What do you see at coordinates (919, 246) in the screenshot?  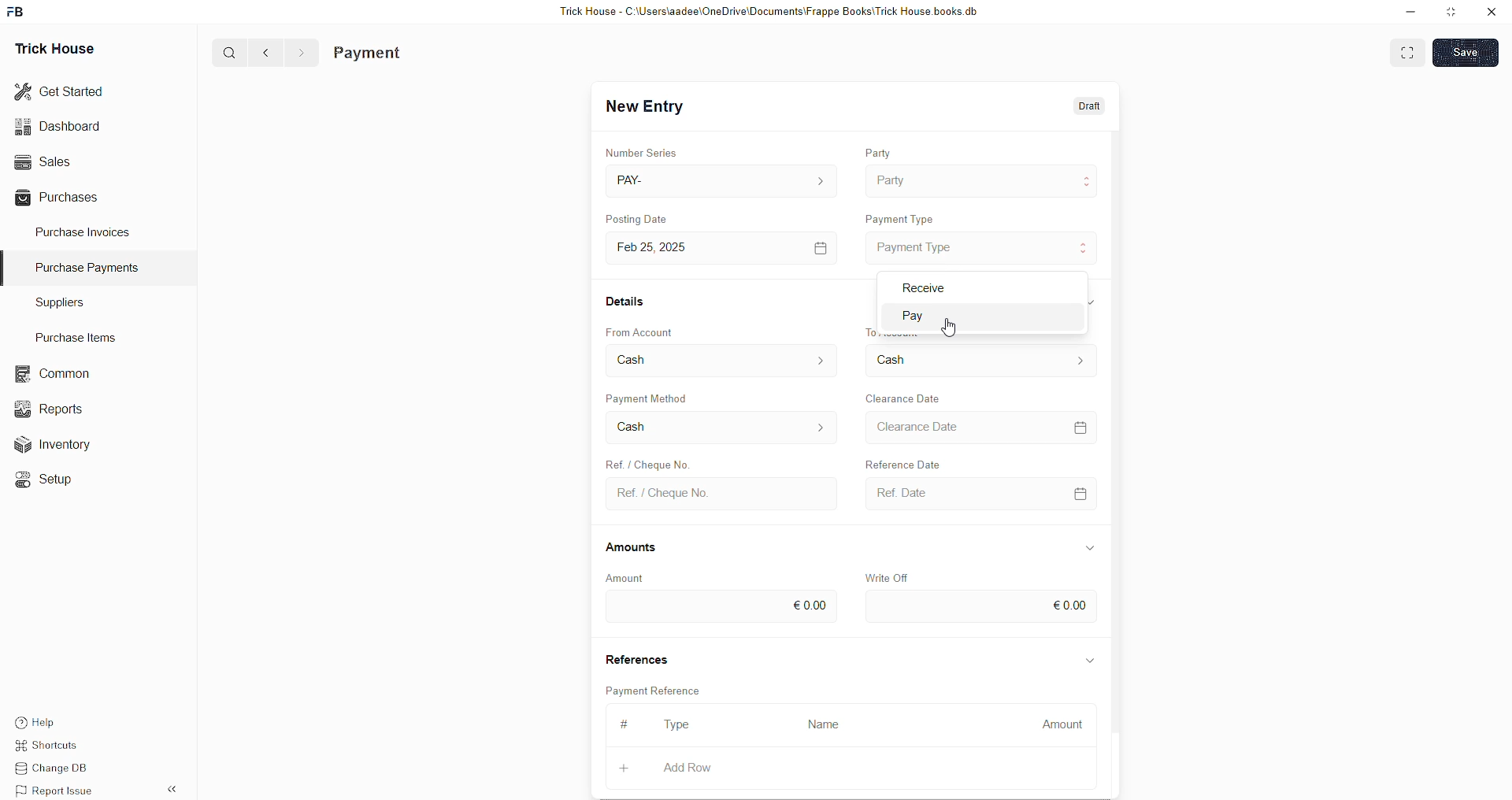 I see `Payment Type` at bounding box center [919, 246].